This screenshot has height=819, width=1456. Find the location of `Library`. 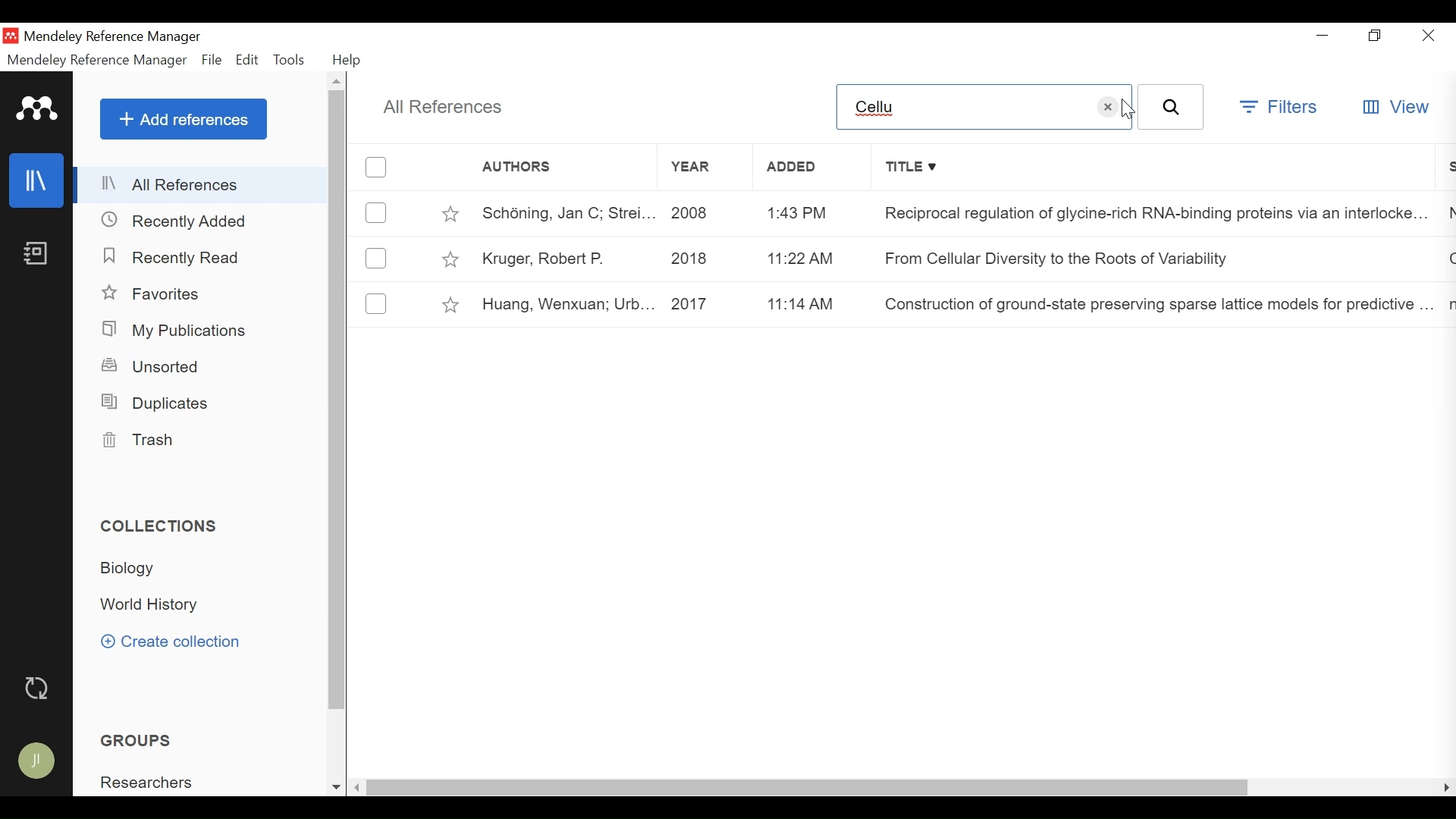

Library is located at coordinates (36, 180).